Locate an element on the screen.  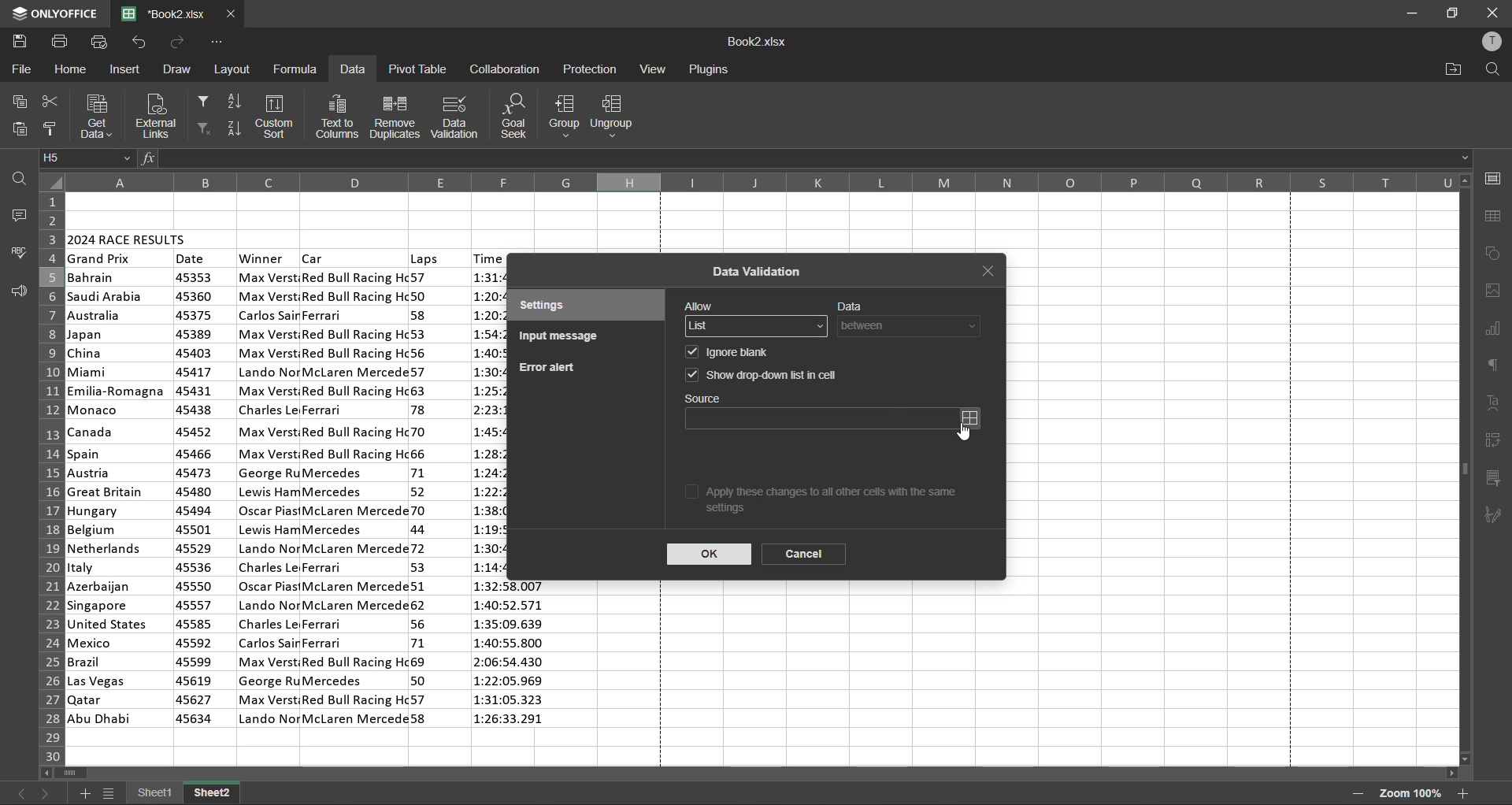
laps is located at coordinates (422, 500).